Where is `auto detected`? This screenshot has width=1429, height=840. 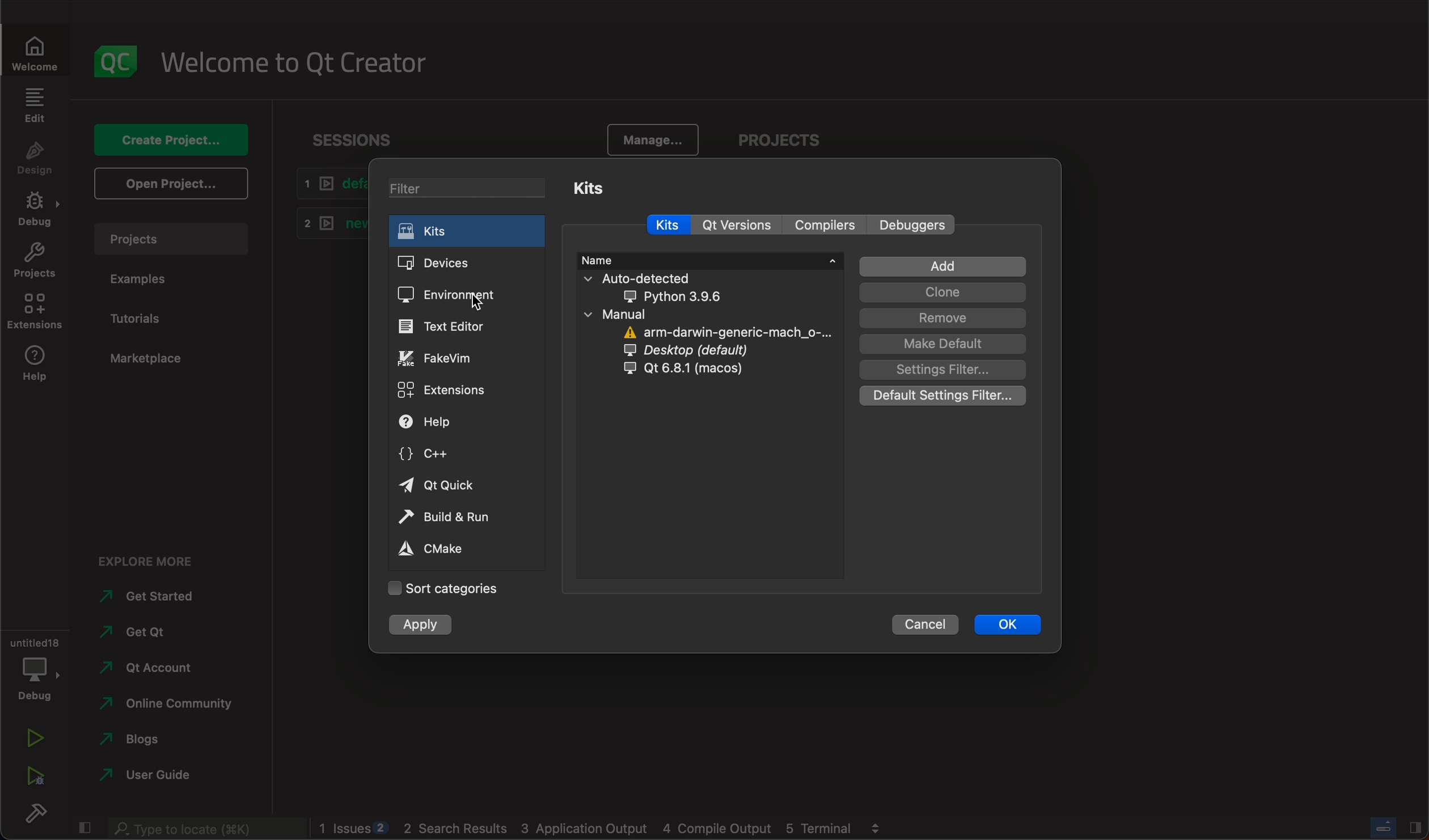
auto detected is located at coordinates (671, 288).